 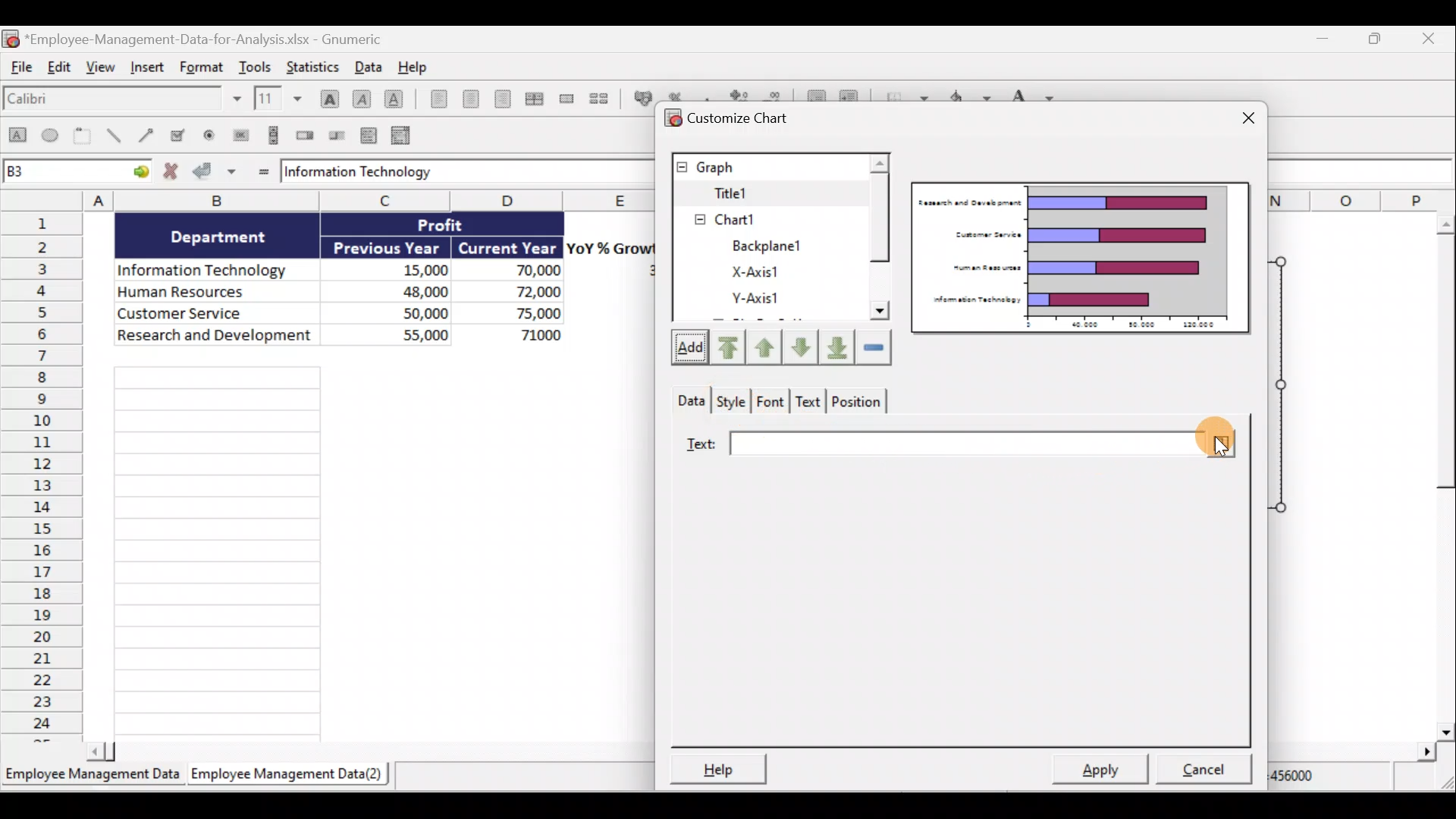 I want to click on Create a combo box, so click(x=403, y=134).